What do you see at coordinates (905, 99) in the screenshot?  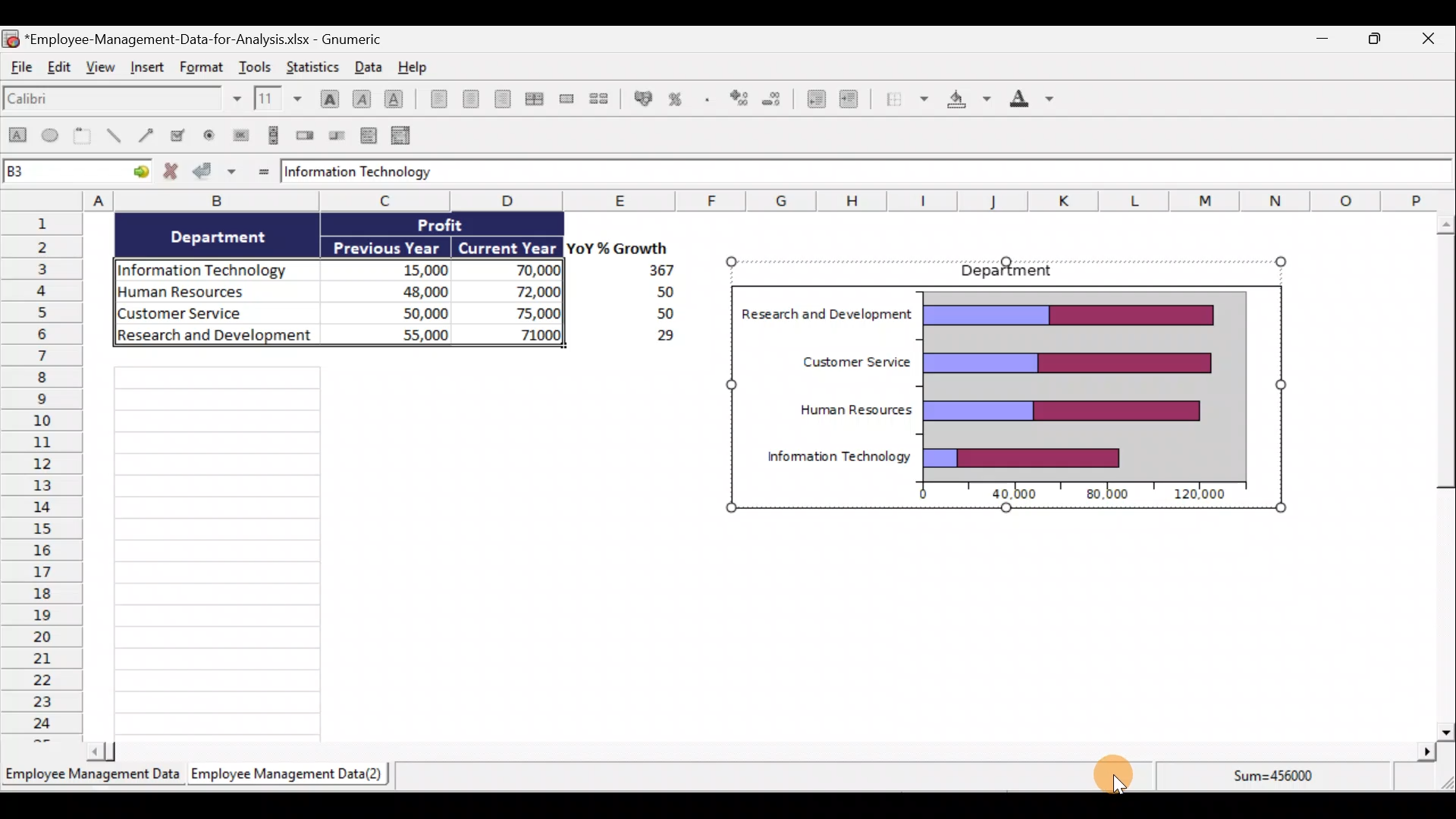 I see `Borders` at bounding box center [905, 99].